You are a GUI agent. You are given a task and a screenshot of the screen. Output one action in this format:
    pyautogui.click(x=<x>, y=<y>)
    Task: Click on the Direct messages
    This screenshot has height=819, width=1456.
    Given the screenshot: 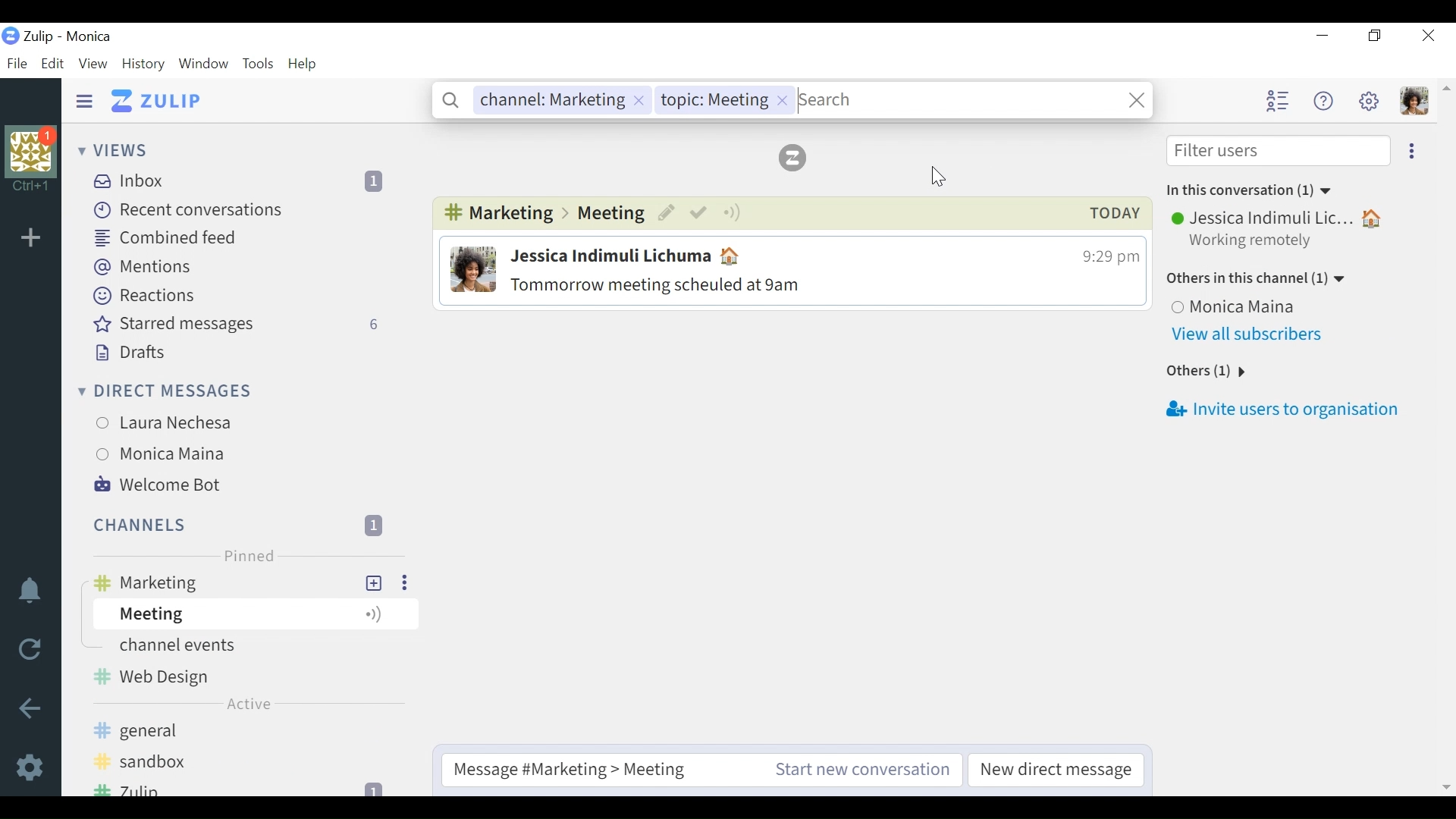 What is the action you would take?
    pyautogui.click(x=163, y=392)
    